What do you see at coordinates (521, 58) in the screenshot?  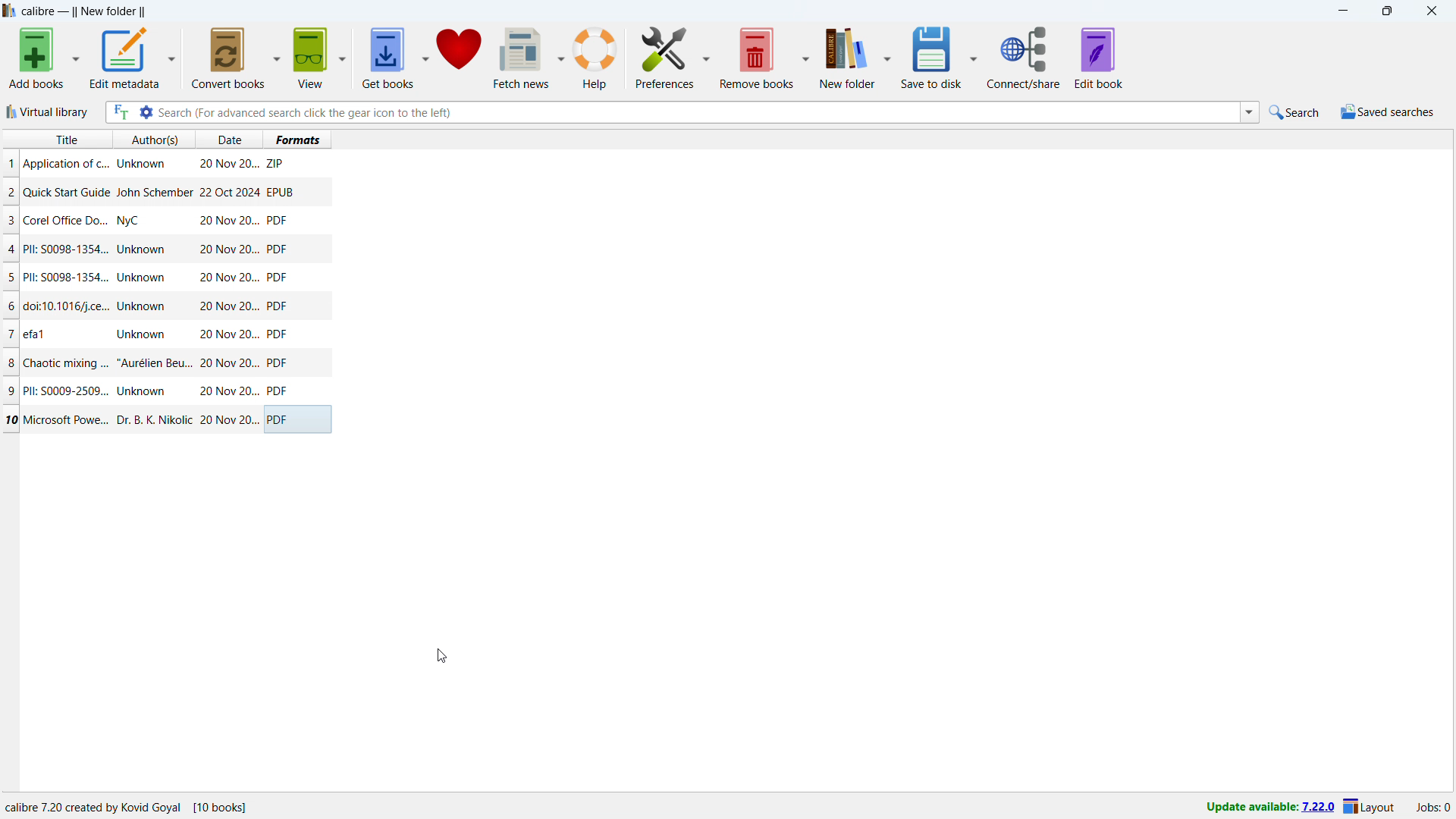 I see `fetch new` at bounding box center [521, 58].